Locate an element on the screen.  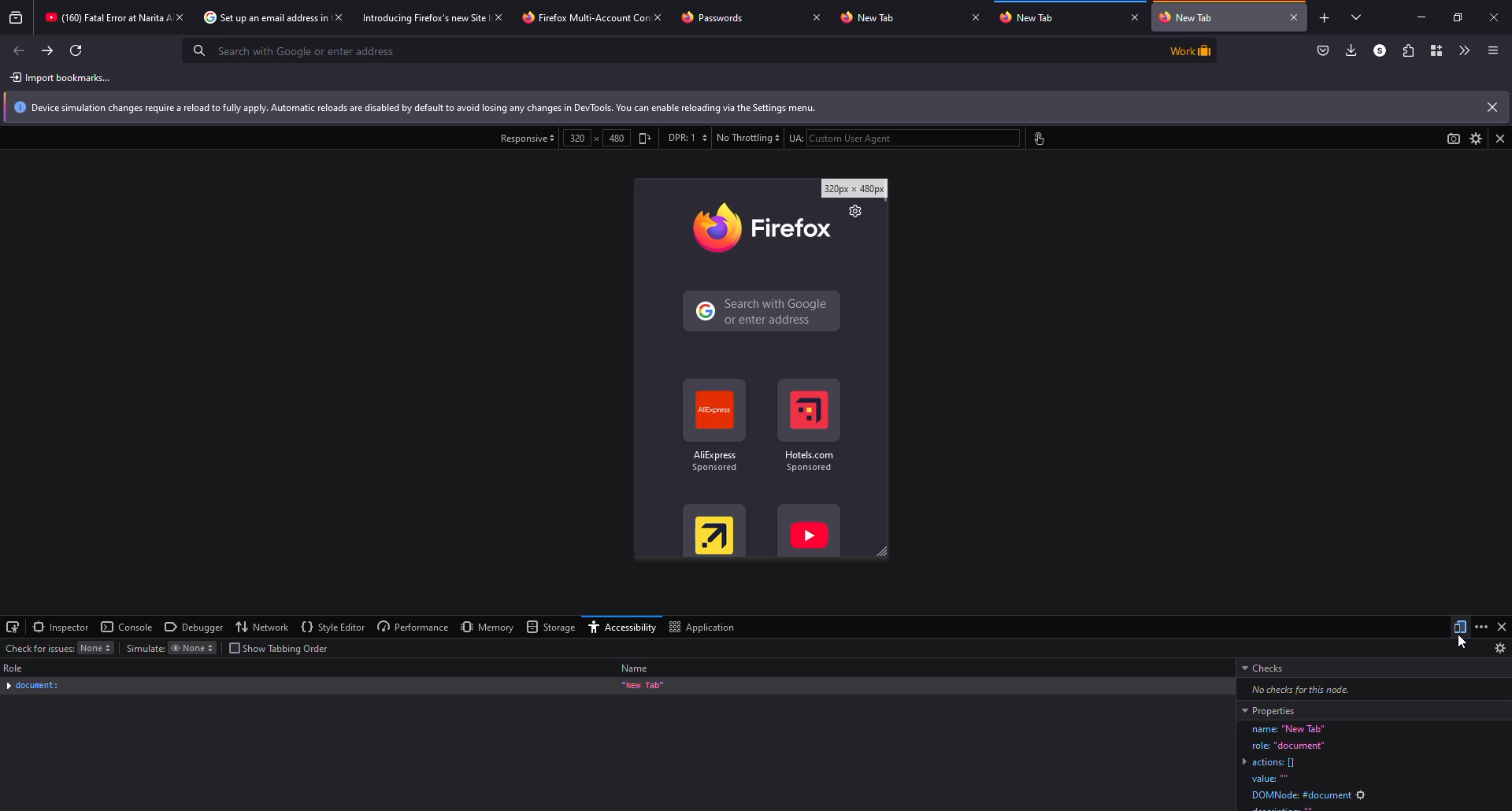
back is located at coordinates (20, 50).